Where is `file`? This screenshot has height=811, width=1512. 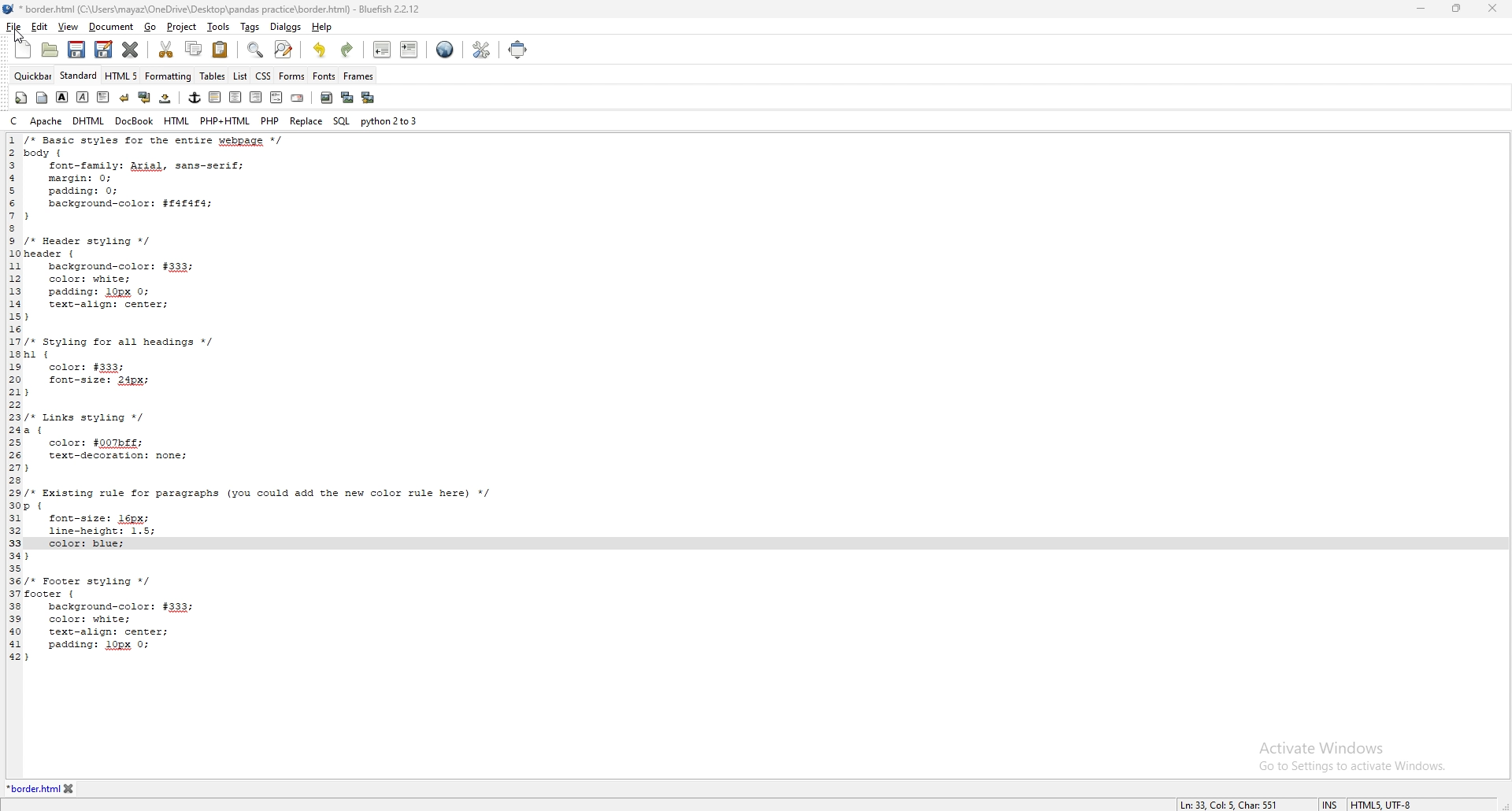 file is located at coordinates (13, 25).